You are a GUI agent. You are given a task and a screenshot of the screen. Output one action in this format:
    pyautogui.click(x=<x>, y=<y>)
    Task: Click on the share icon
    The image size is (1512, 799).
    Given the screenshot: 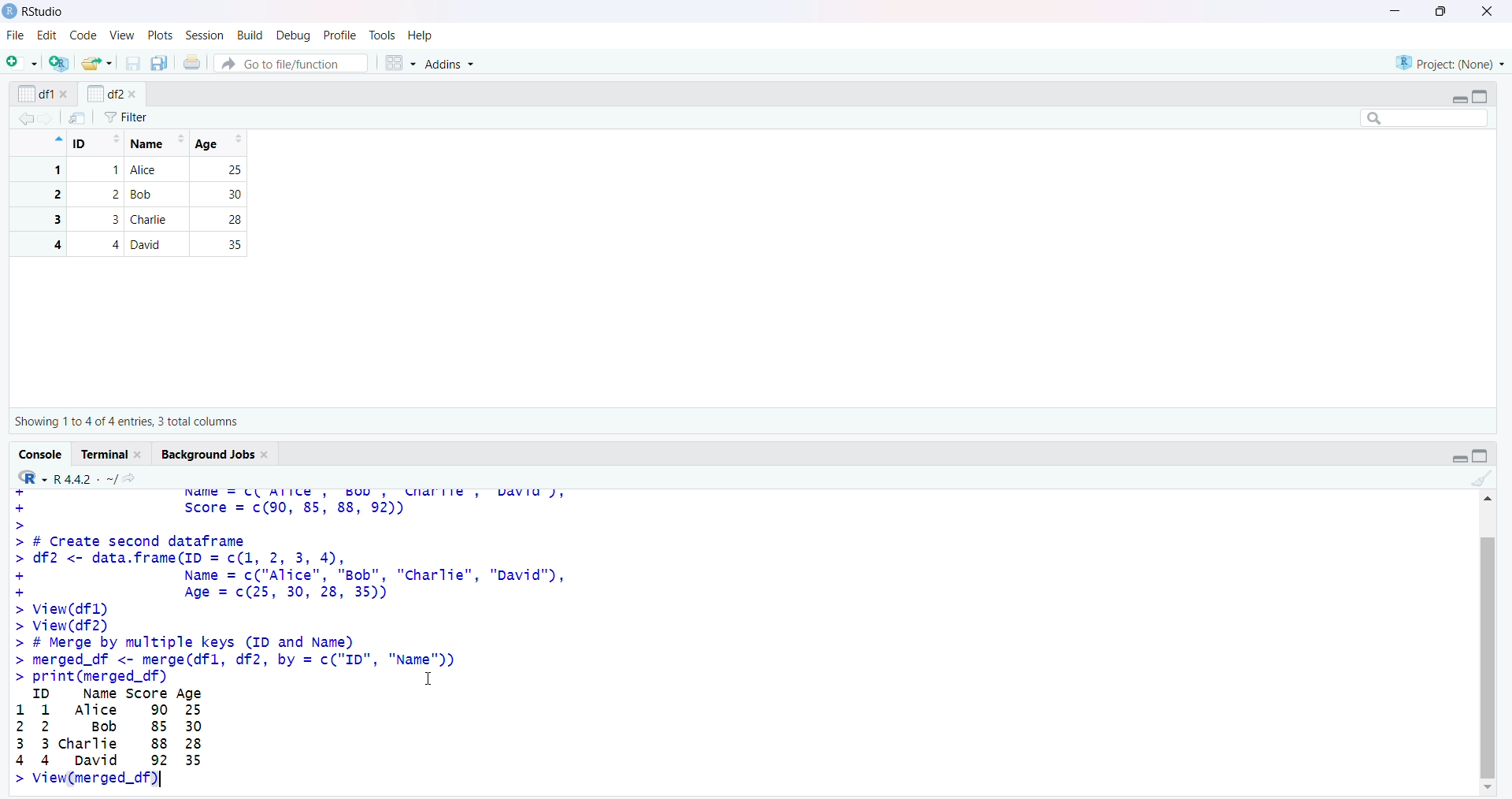 What is the action you would take?
    pyautogui.click(x=130, y=478)
    